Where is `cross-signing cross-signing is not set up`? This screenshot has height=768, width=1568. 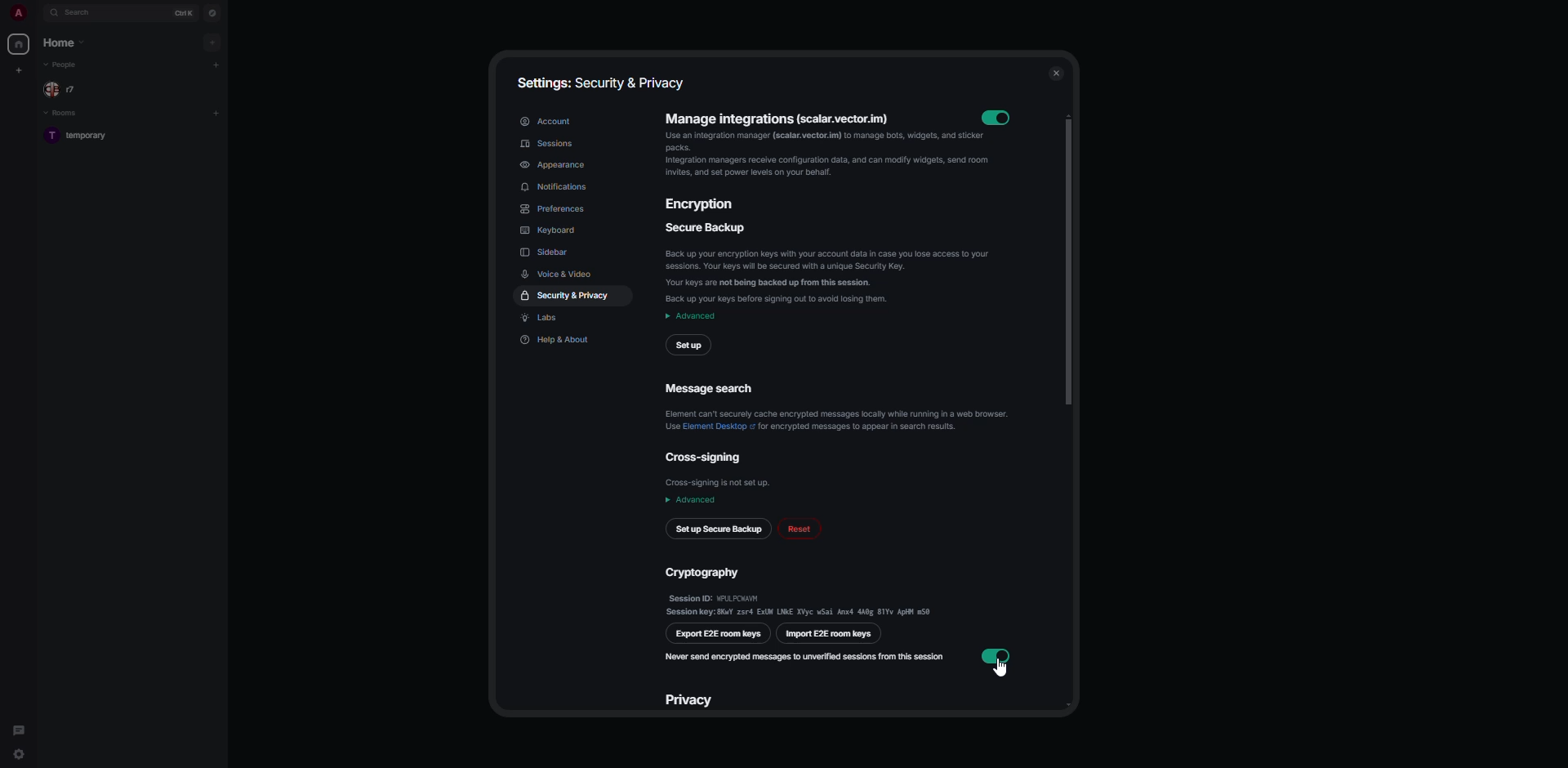
cross-signing cross-signing is not set up is located at coordinates (719, 471).